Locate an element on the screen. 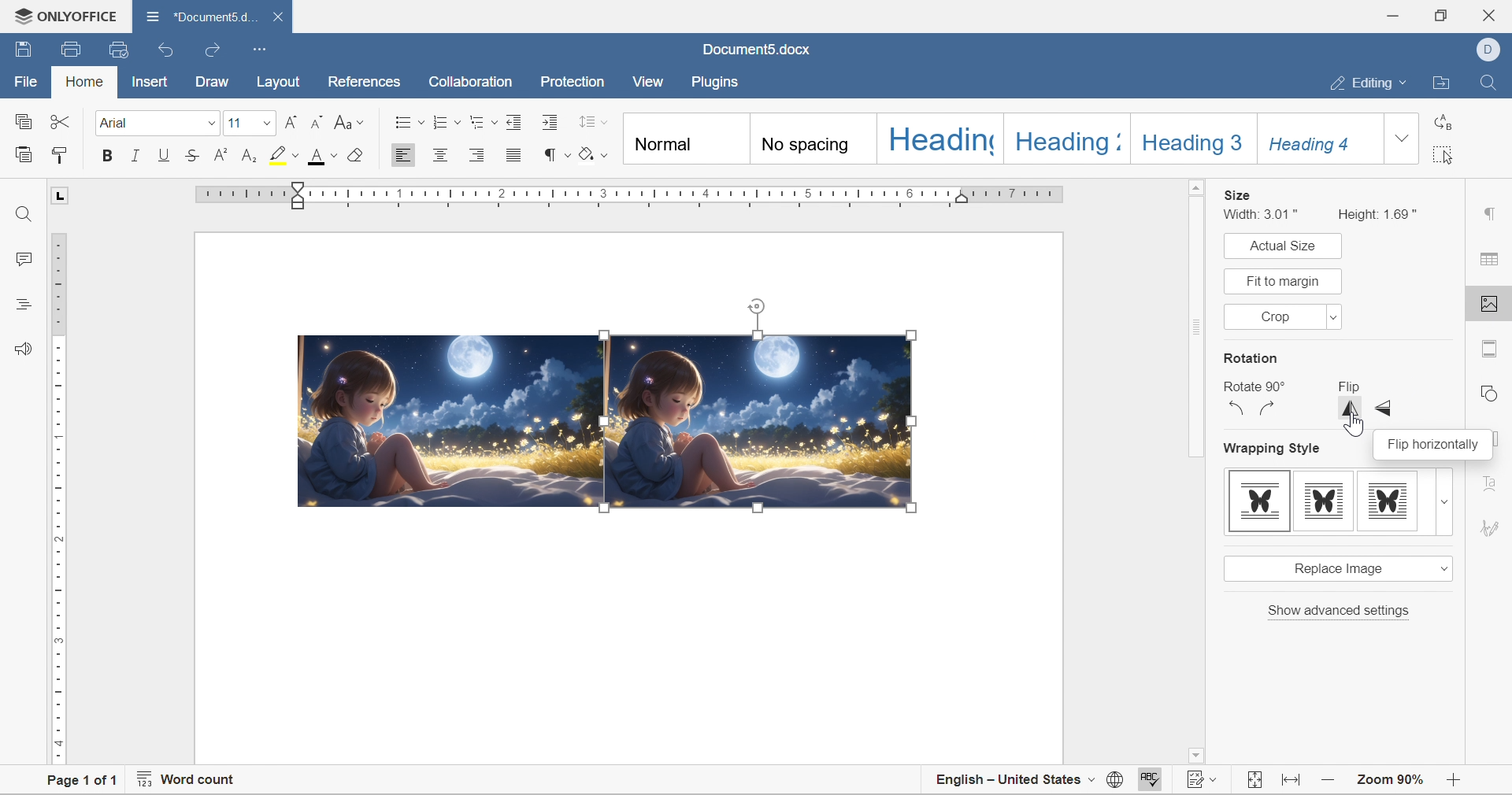  quick print is located at coordinates (122, 48).